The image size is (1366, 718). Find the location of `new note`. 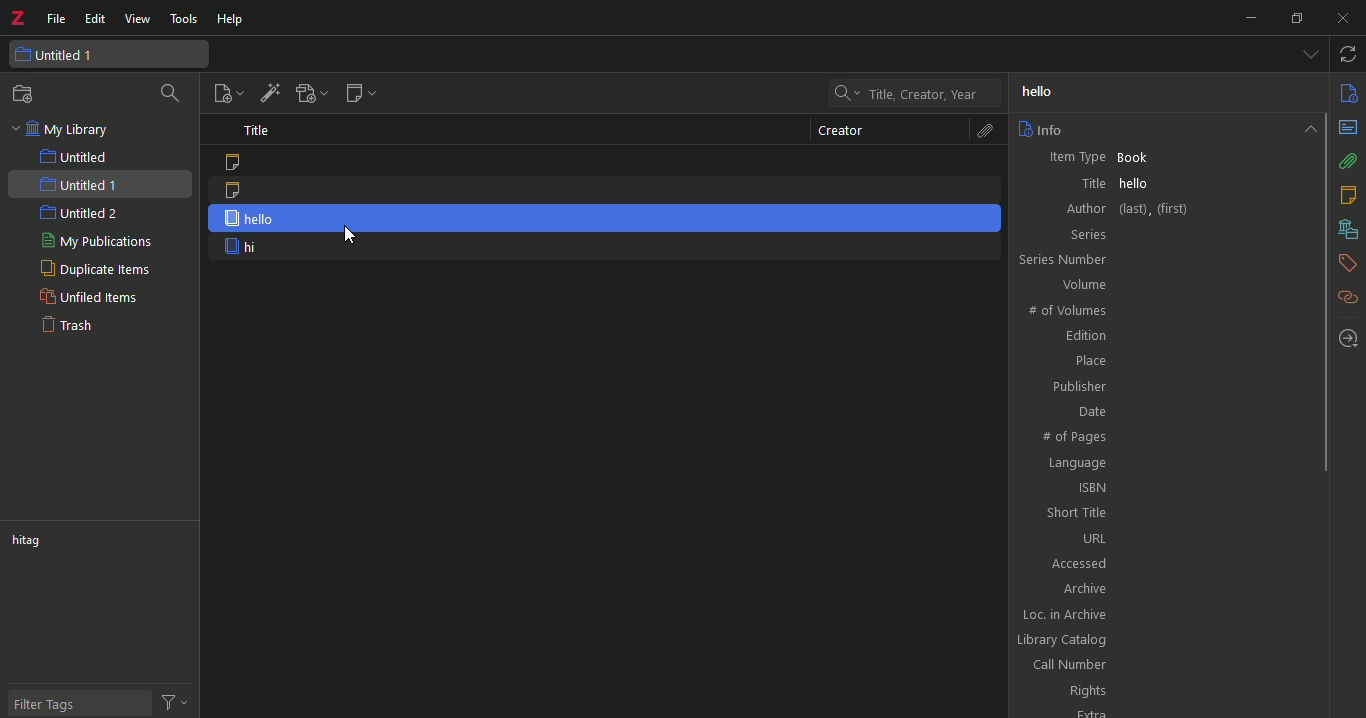

new note is located at coordinates (360, 93).